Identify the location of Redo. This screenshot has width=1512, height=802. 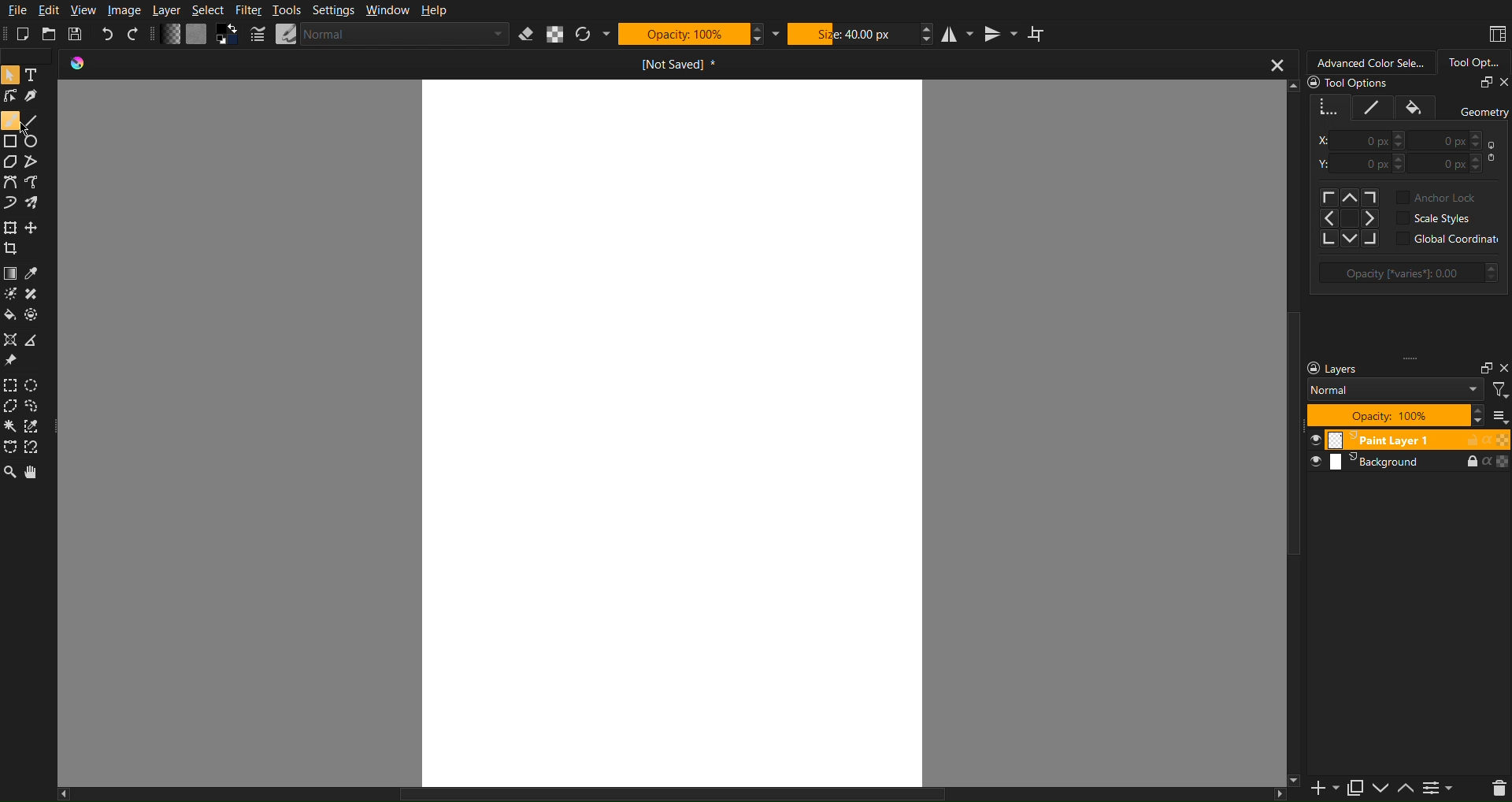
(135, 34).